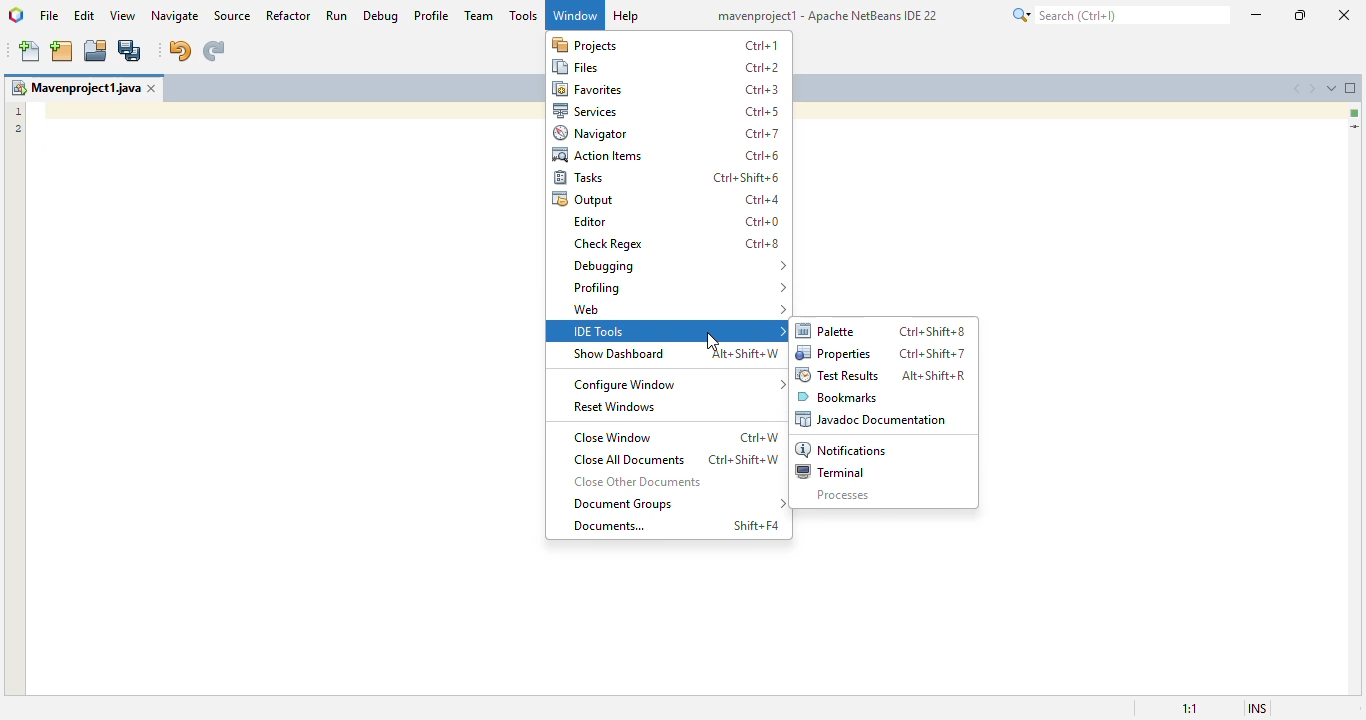 This screenshot has height=720, width=1366. I want to click on bookmarks, so click(837, 397).